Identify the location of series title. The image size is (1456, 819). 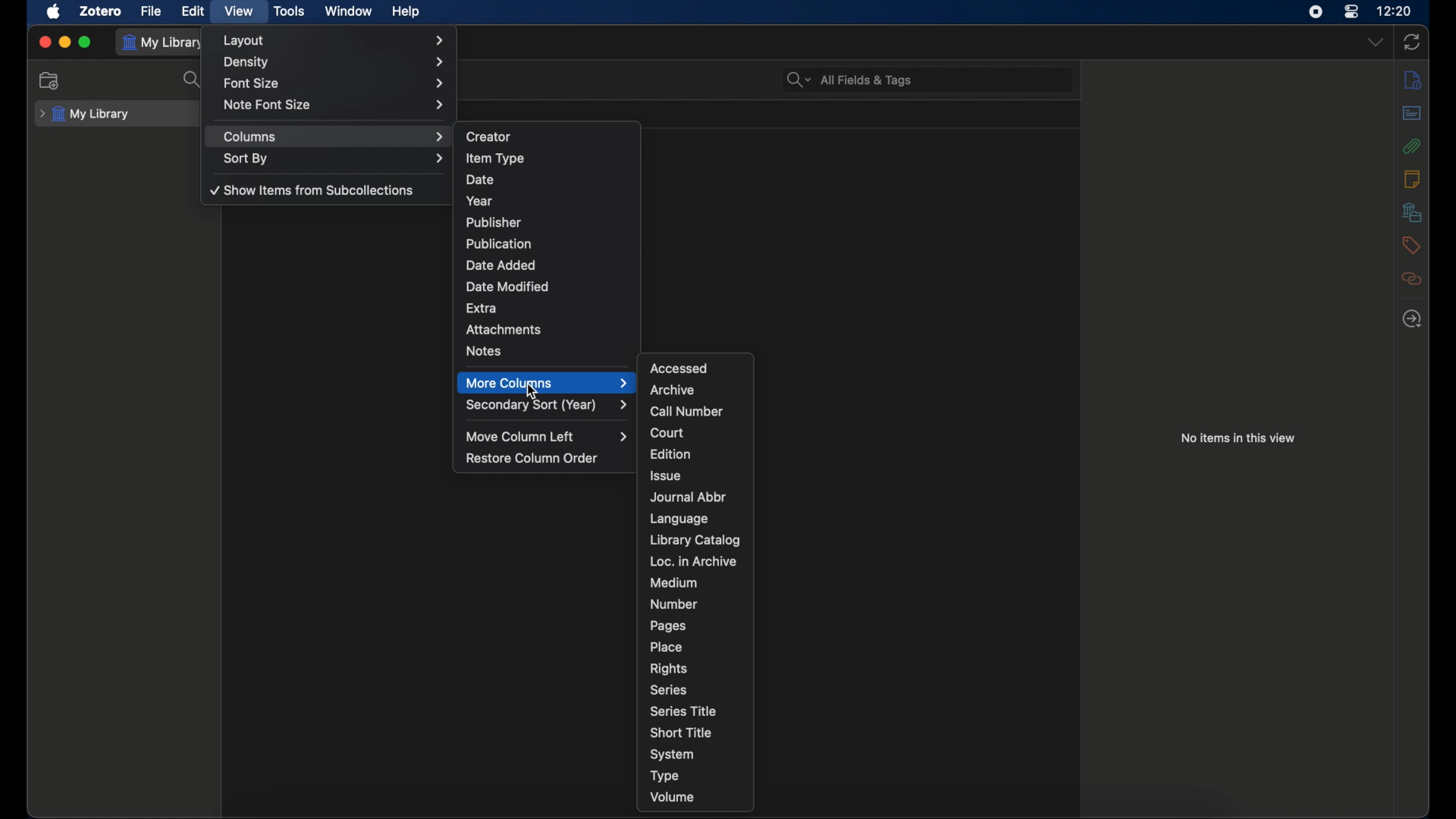
(683, 711).